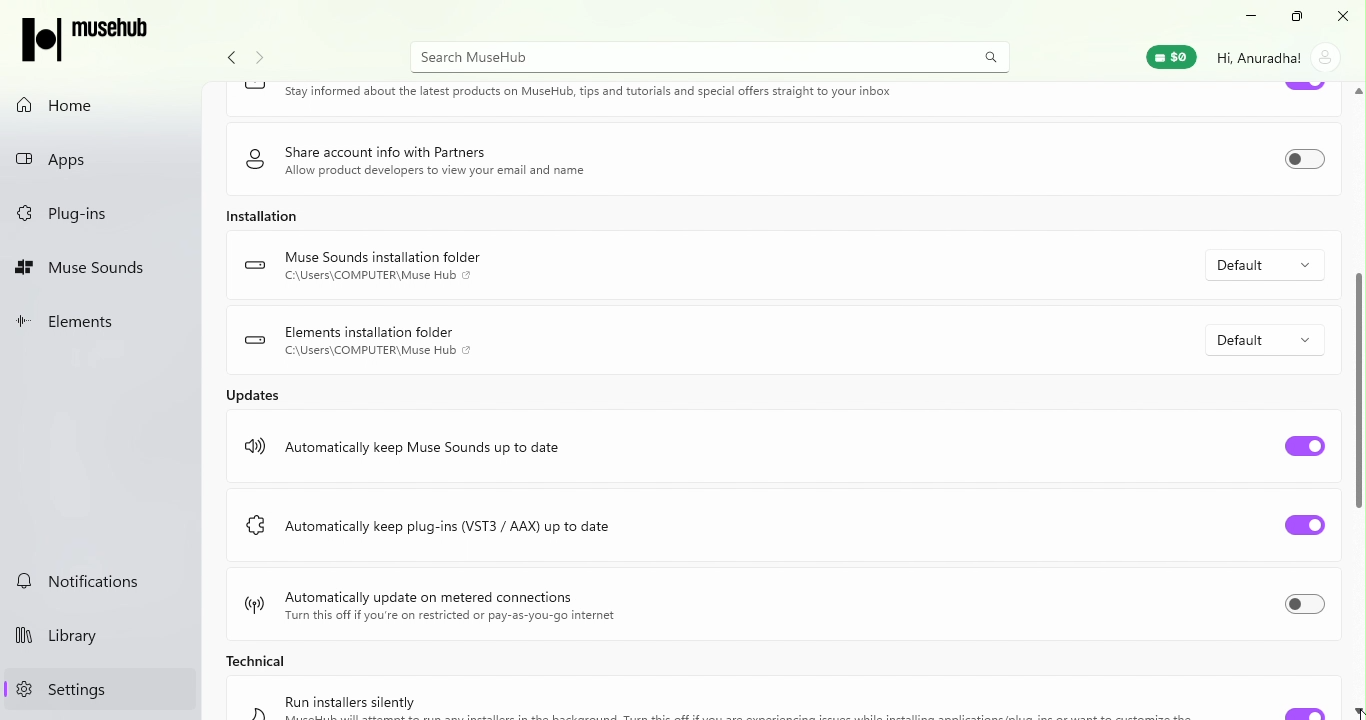 The width and height of the screenshot is (1366, 720). What do you see at coordinates (254, 88) in the screenshot?
I see `logo` at bounding box center [254, 88].